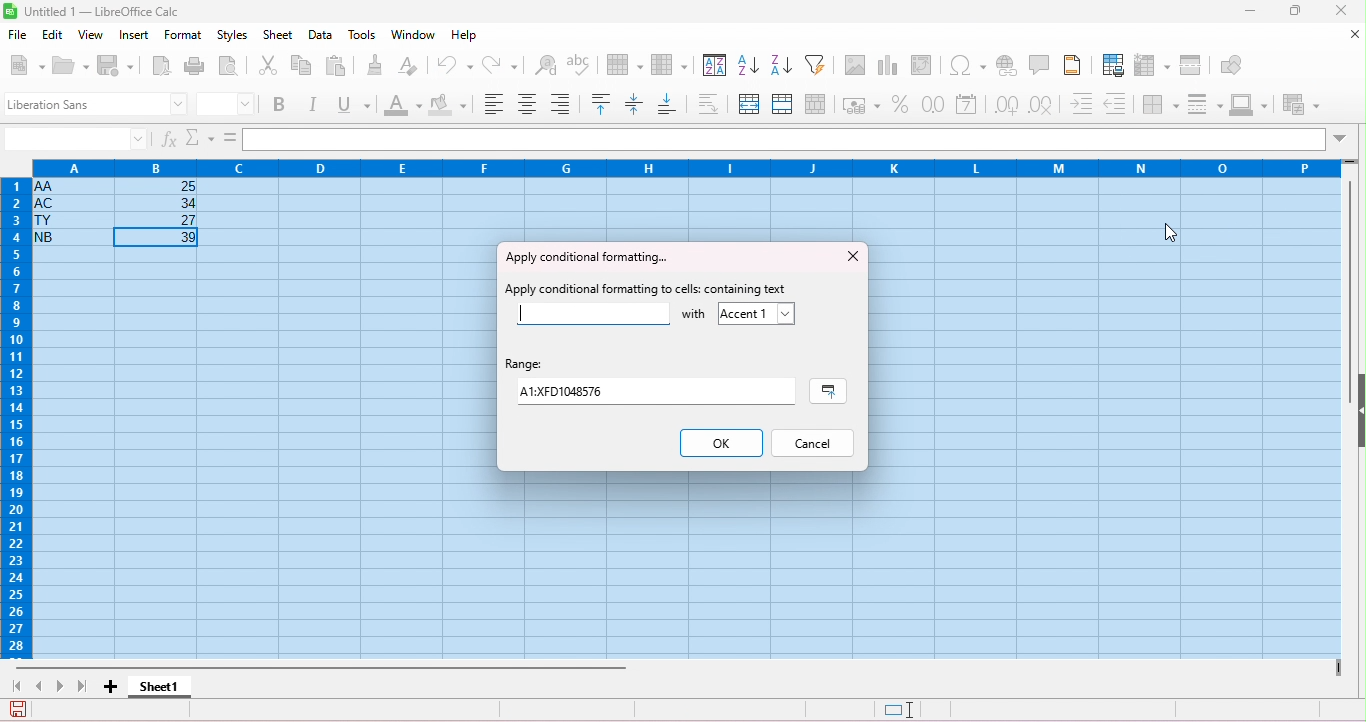  I want to click on conditional, so click(1299, 106).